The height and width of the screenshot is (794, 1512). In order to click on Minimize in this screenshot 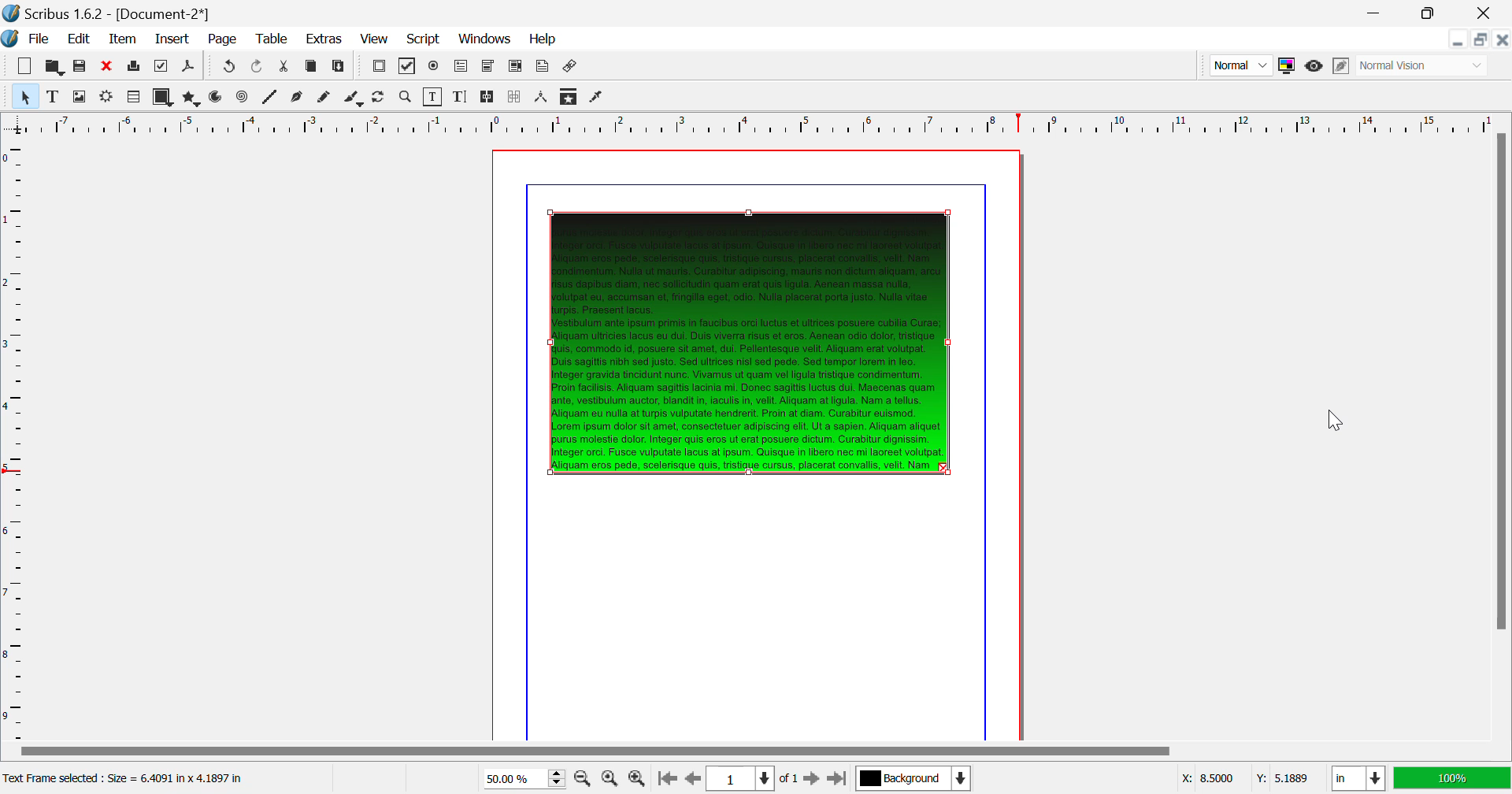, I will do `click(1482, 39)`.